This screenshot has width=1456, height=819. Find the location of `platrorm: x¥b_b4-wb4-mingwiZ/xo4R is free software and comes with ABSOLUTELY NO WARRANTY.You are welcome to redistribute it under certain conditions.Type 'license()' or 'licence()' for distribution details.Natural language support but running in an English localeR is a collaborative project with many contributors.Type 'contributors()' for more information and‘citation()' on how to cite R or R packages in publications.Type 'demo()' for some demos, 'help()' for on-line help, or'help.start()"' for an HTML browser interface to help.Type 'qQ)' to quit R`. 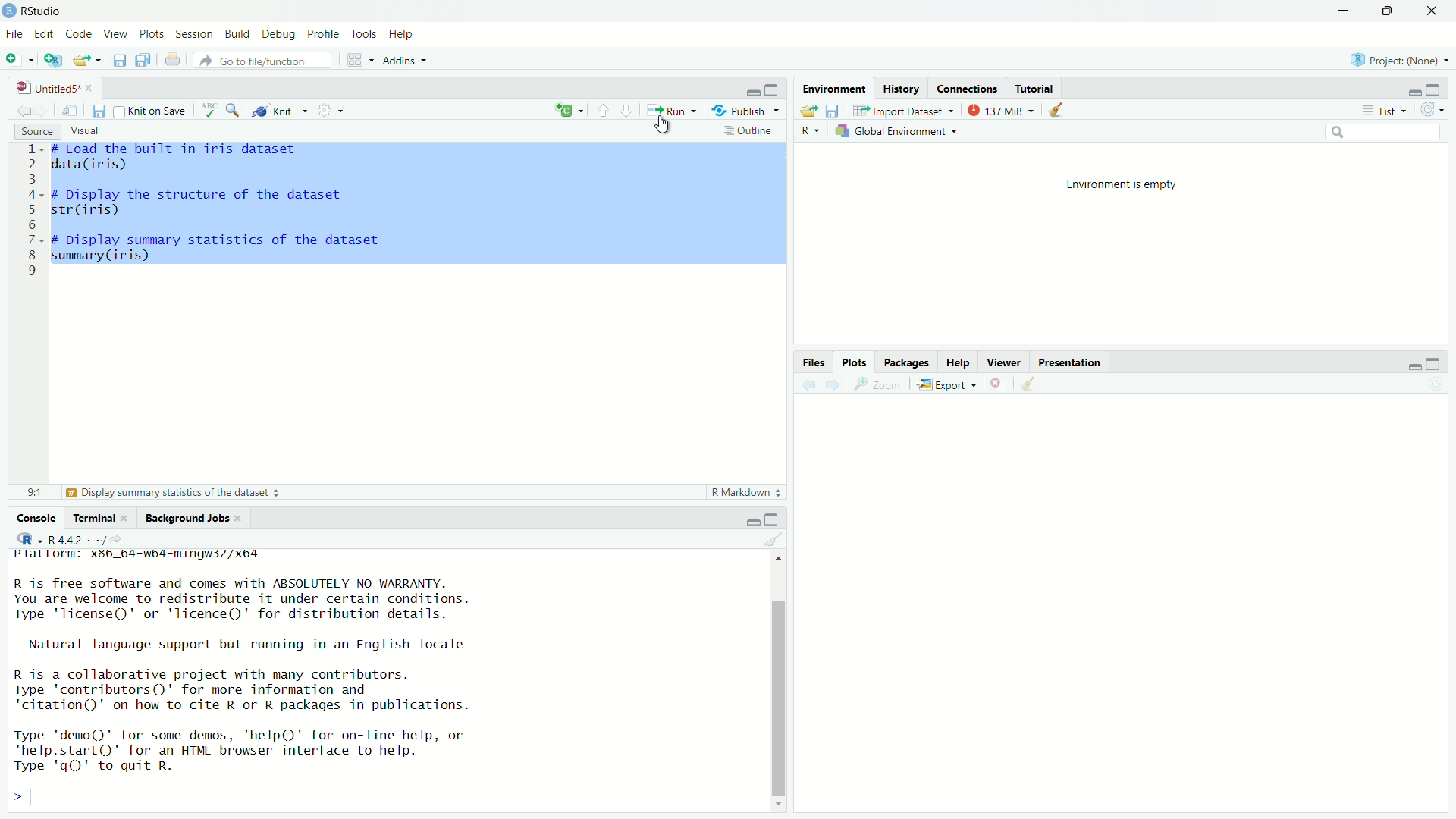

platrorm: x¥b_b4-wb4-mingwiZ/xo4R is free software and comes with ABSOLUTELY NO WARRANTY.You are welcome to redistribute it under certain conditions.Type 'license()' or 'licence()' for distribution details.Natural language support but running in an English localeR is a collaborative project with many contributors.Type 'contributors()' for more information and‘citation()' on how to cite R or R packages in publications.Type 'demo()' for some demos, 'help()' for on-line help, or'help.start()"' for an HTML browser interface to help.Type 'qQ)' to quit R is located at coordinates (383, 680).